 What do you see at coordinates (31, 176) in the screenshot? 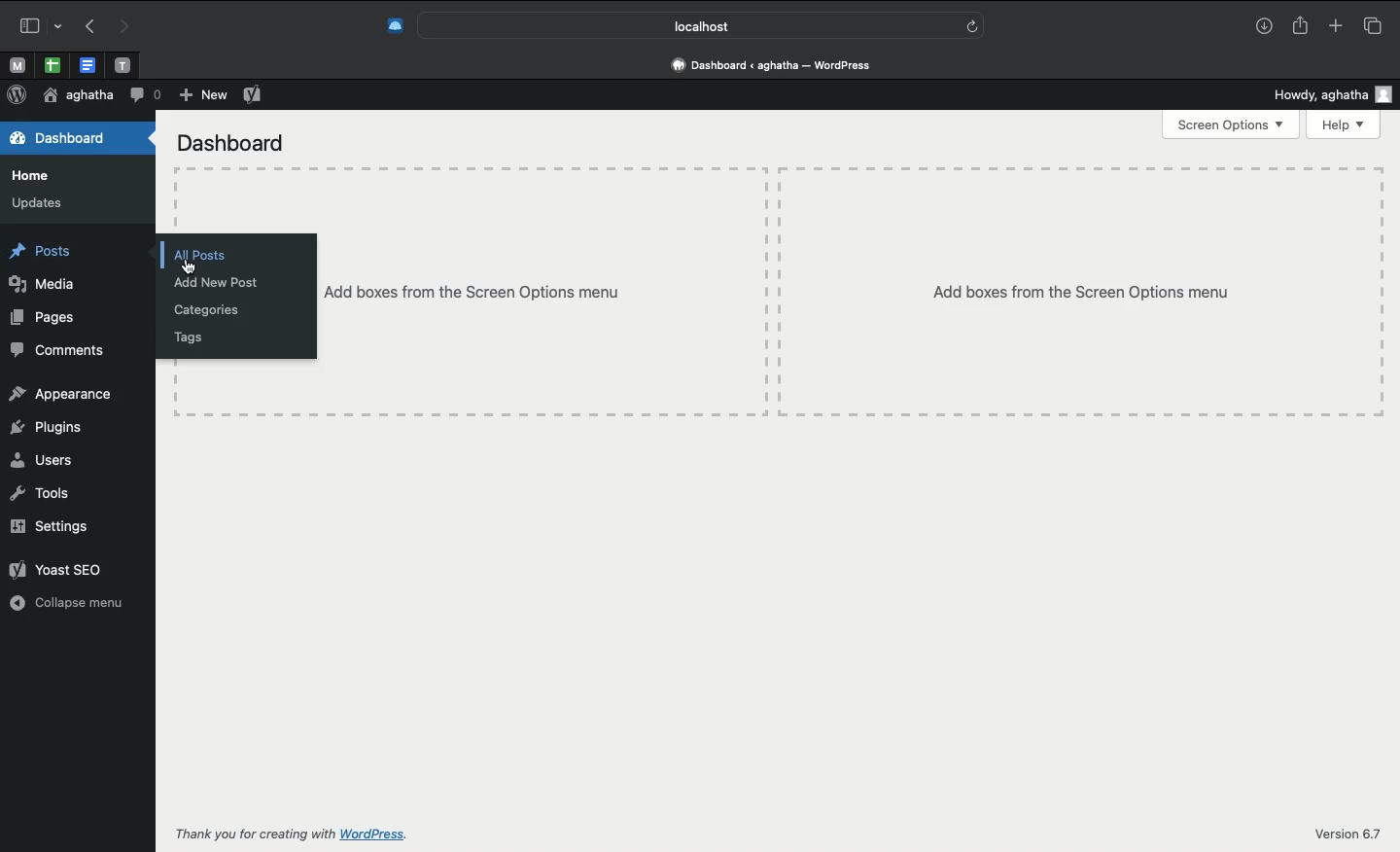
I see `Home` at bounding box center [31, 176].